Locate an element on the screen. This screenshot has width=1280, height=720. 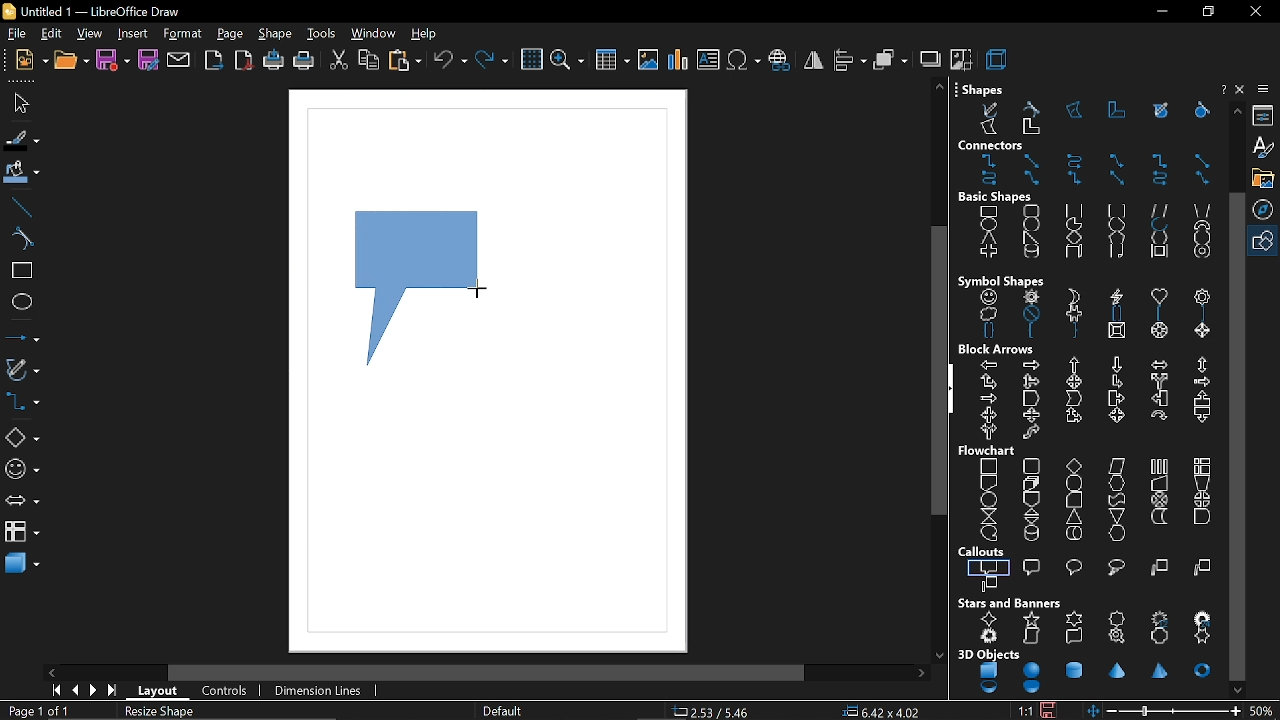
up and down arrow callout is located at coordinates (1029, 415).